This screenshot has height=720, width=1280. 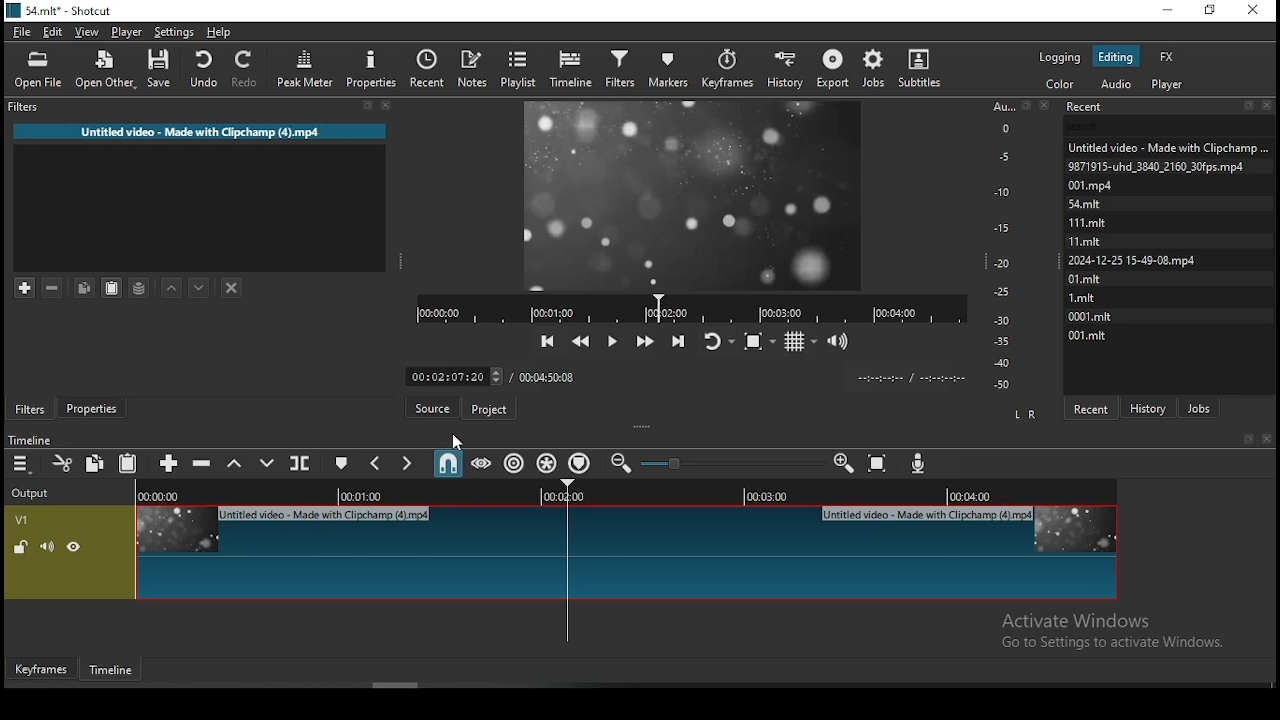 What do you see at coordinates (579, 341) in the screenshot?
I see `play quickly backwards` at bounding box center [579, 341].